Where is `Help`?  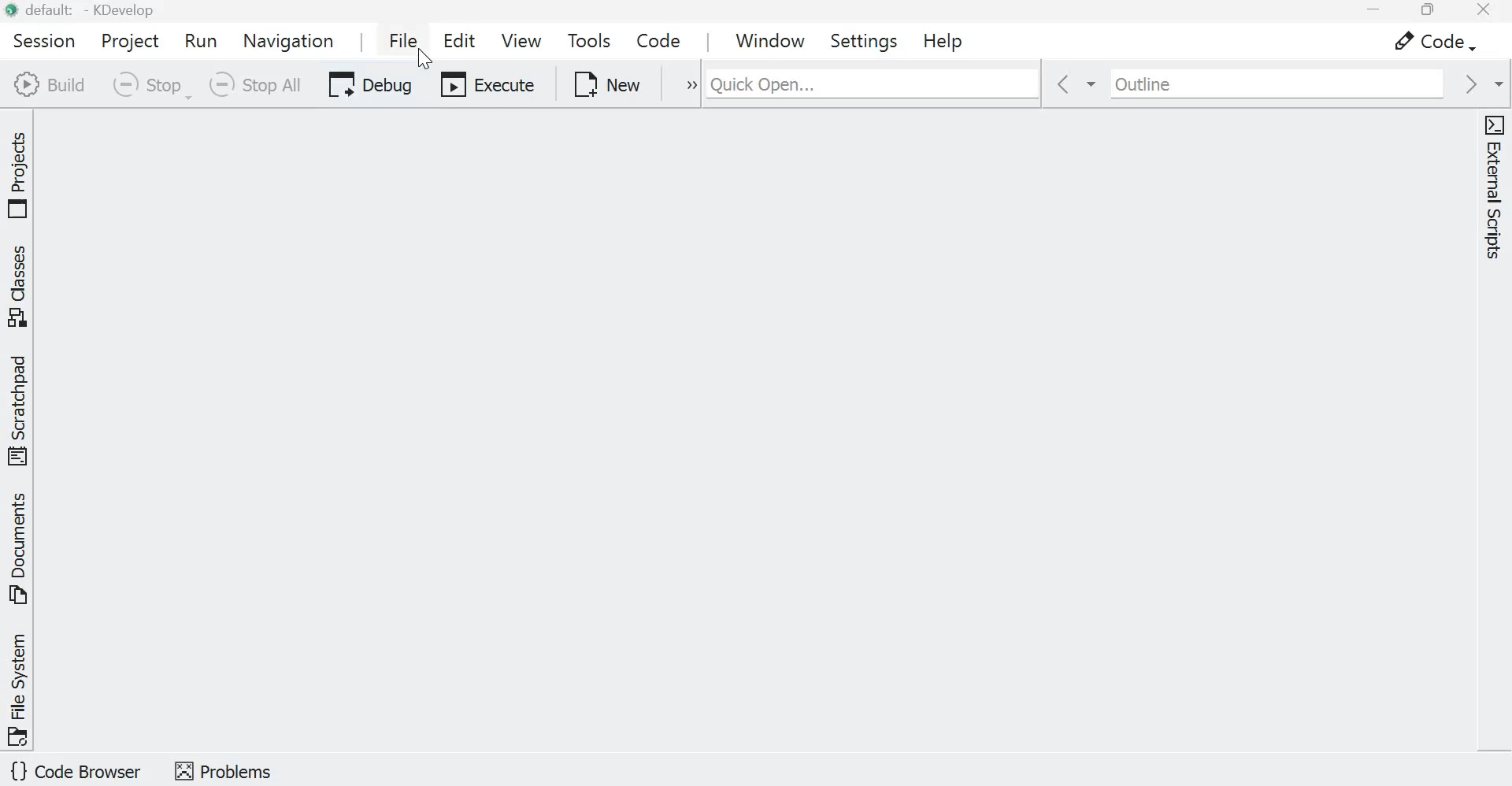
Help is located at coordinates (942, 39).